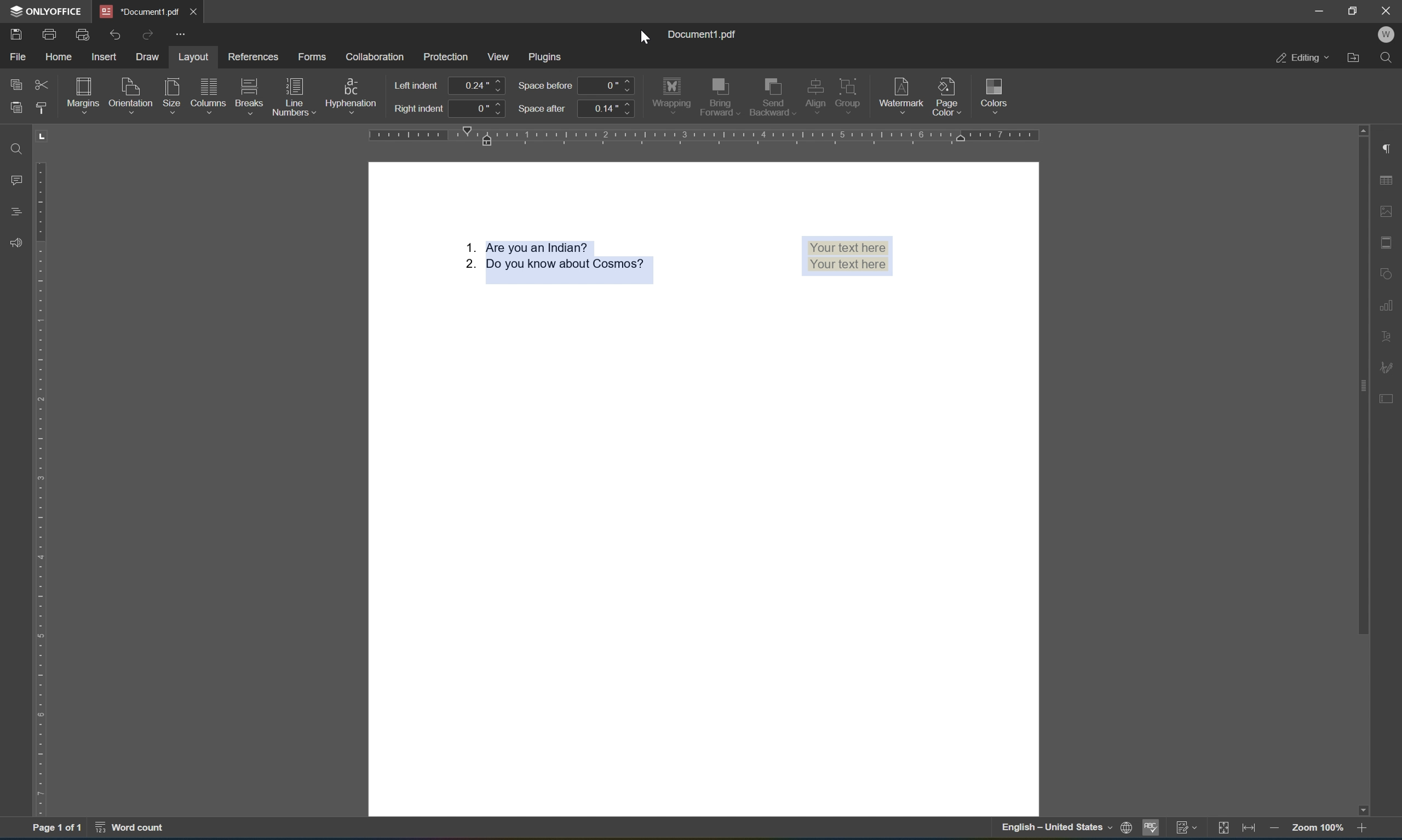 This screenshot has width=1402, height=840. Describe the element at coordinates (378, 56) in the screenshot. I see `collaboration` at that location.